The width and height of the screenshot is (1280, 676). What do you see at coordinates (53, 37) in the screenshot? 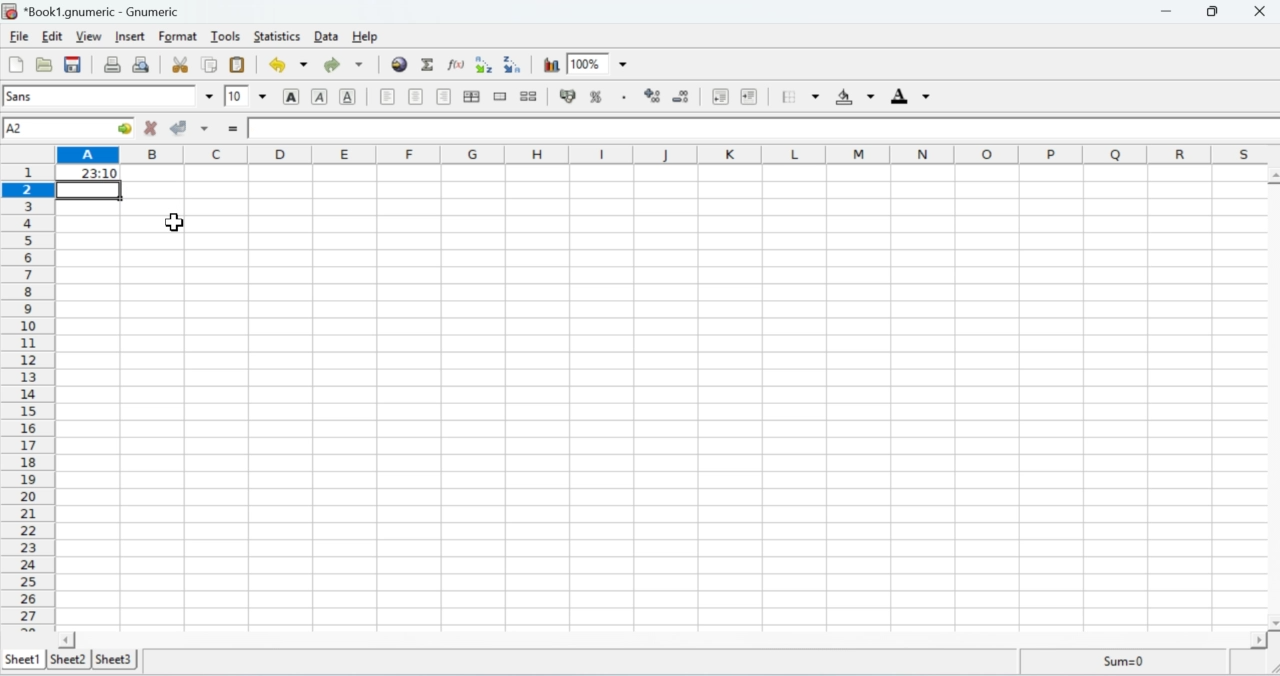
I see `Edit` at bounding box center [53, 37].